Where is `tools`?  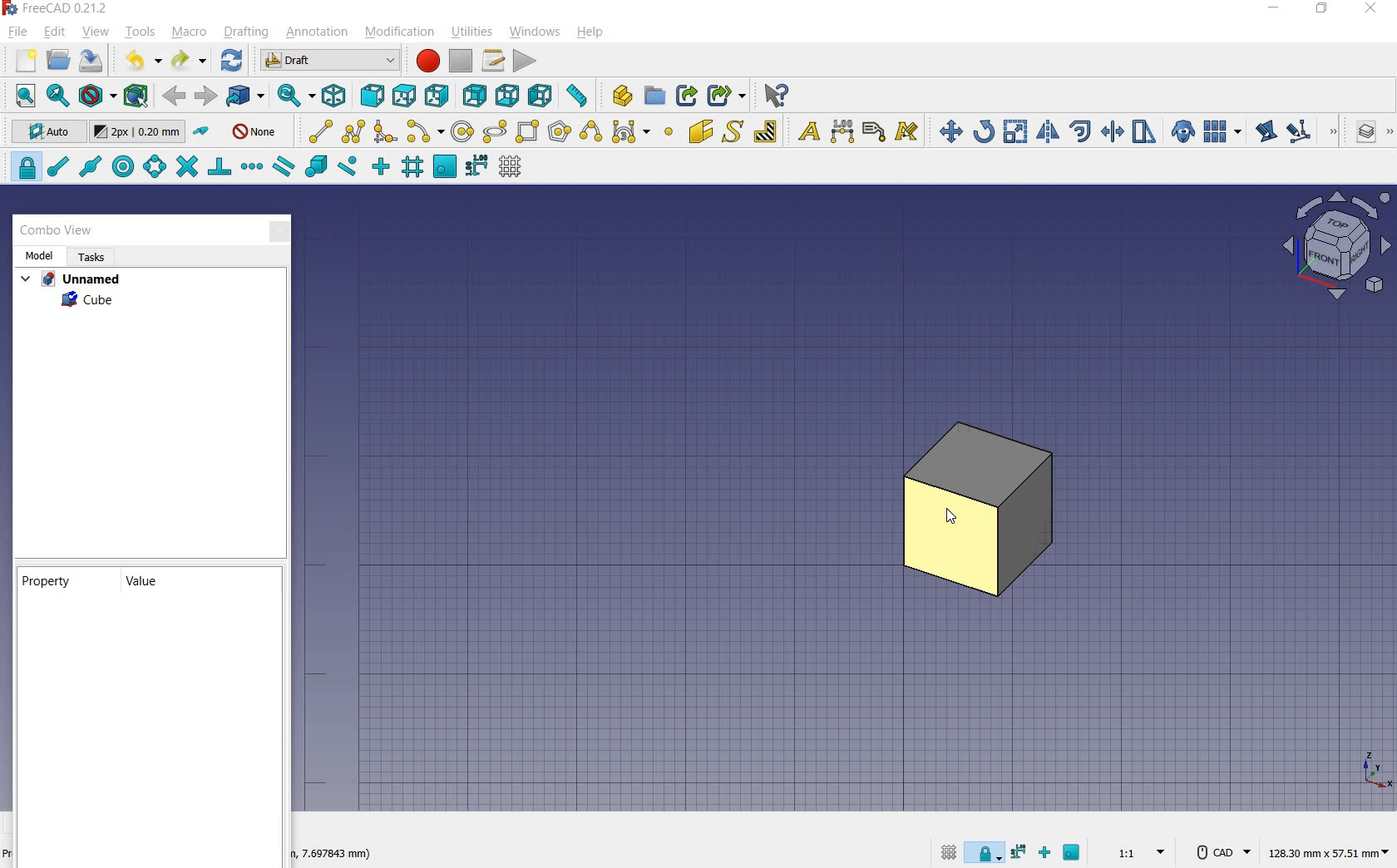 tools is located at coordinates (142, 33).